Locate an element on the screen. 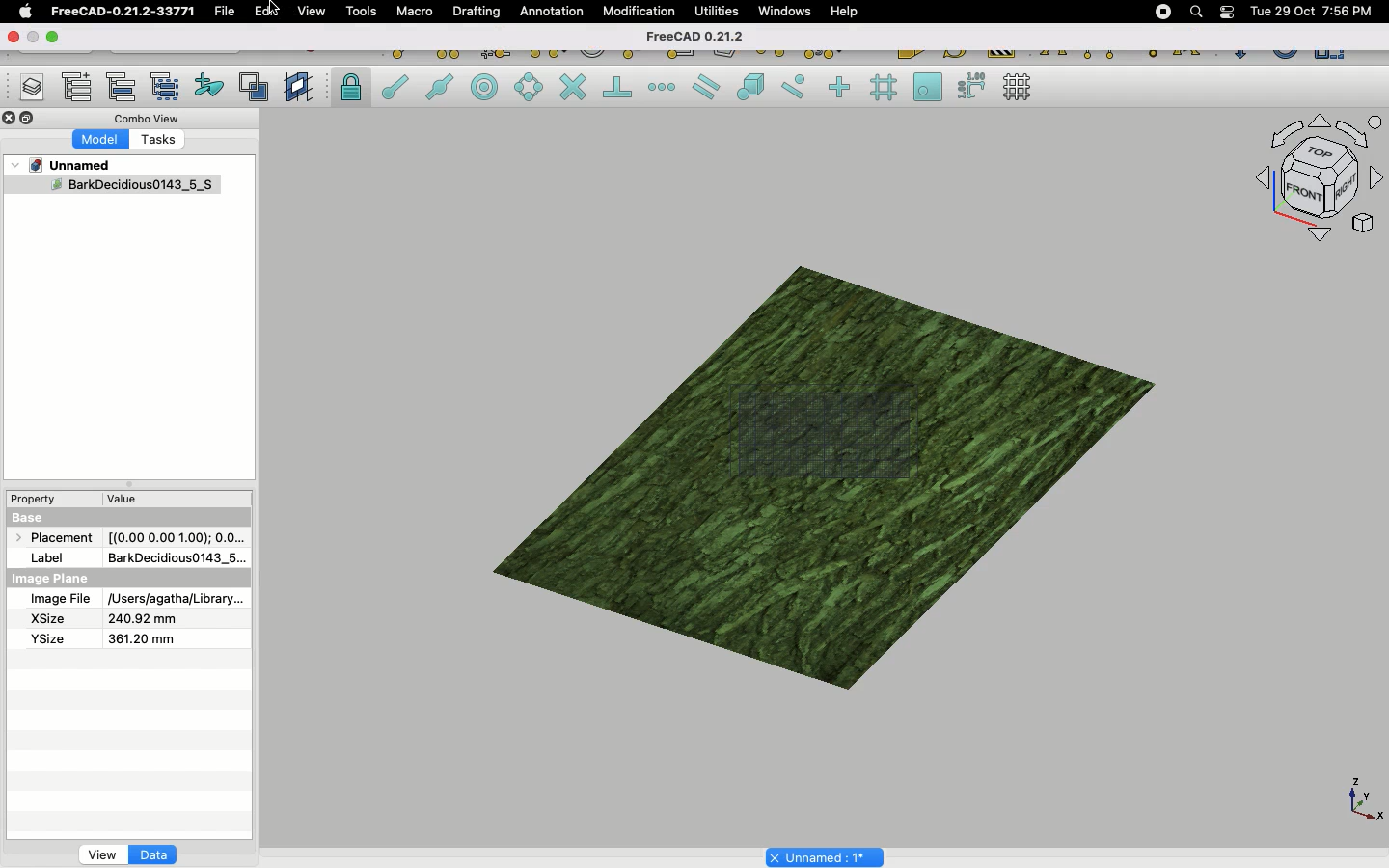 The height and width of the screenshot is (868, 1389). Image Plane is located at coordinates (52, 579).